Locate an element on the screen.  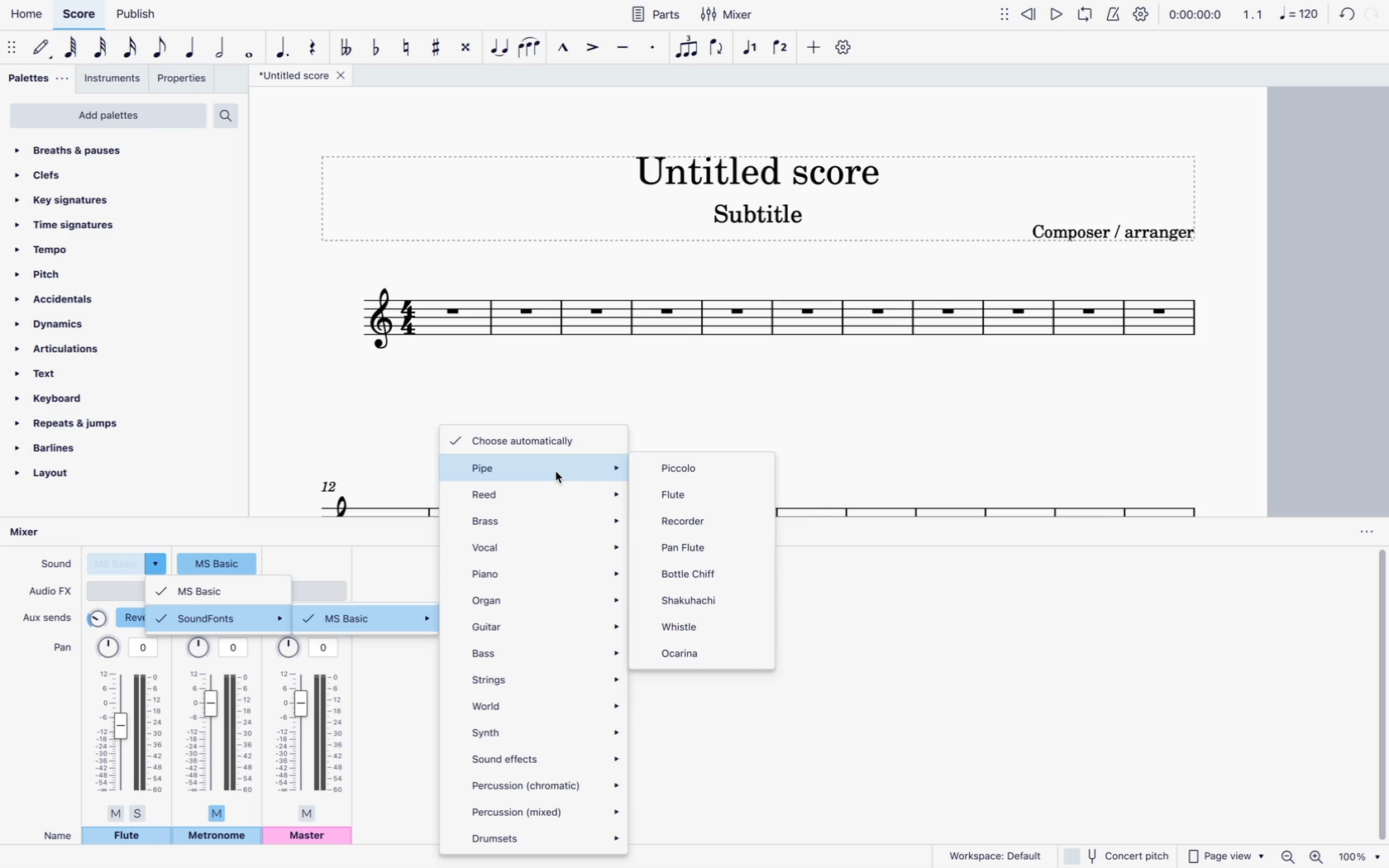
tempo is located at coordinates (77, 249).